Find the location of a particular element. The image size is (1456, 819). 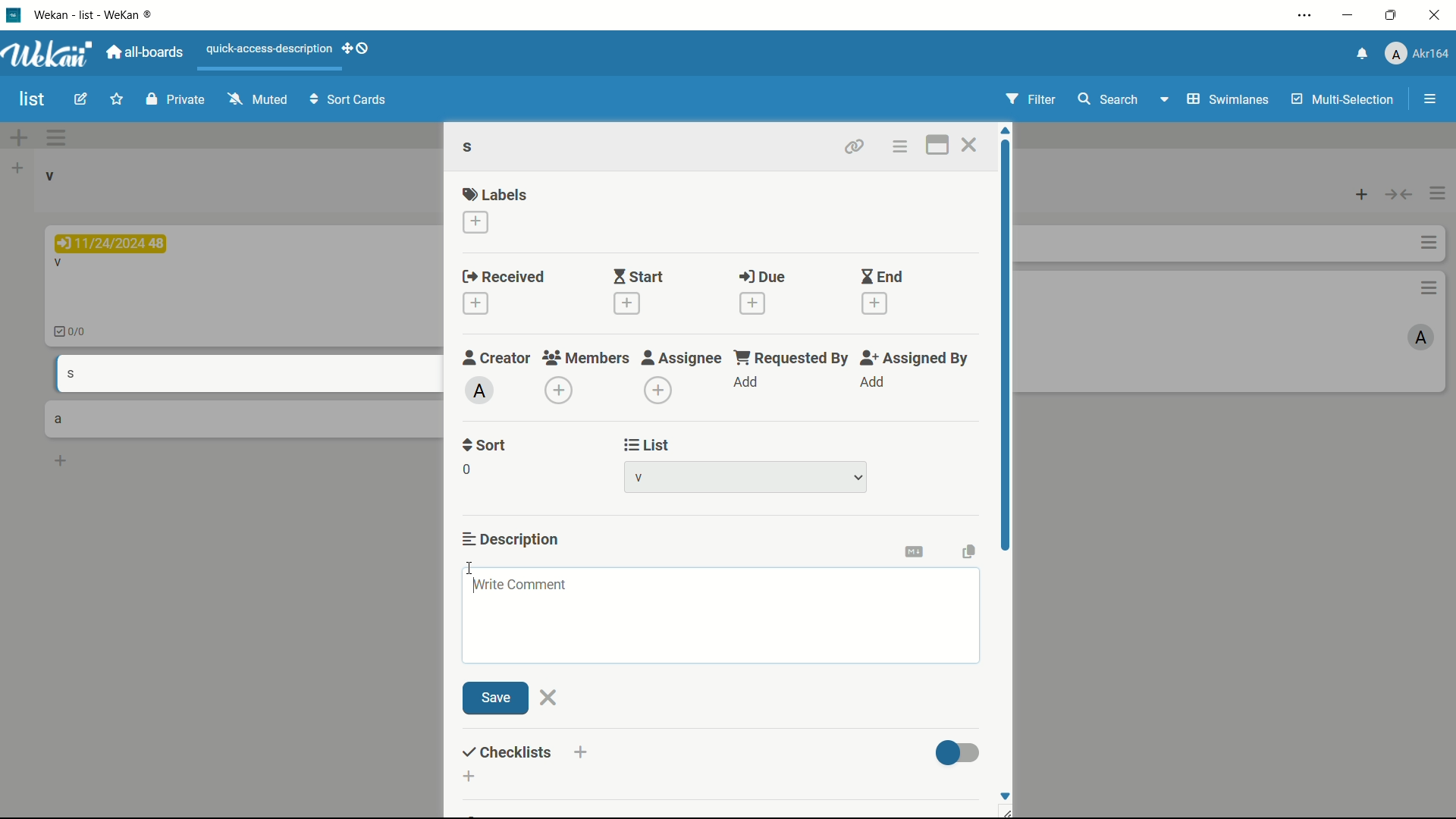

settings and more is located at coordinates (1304, 14).